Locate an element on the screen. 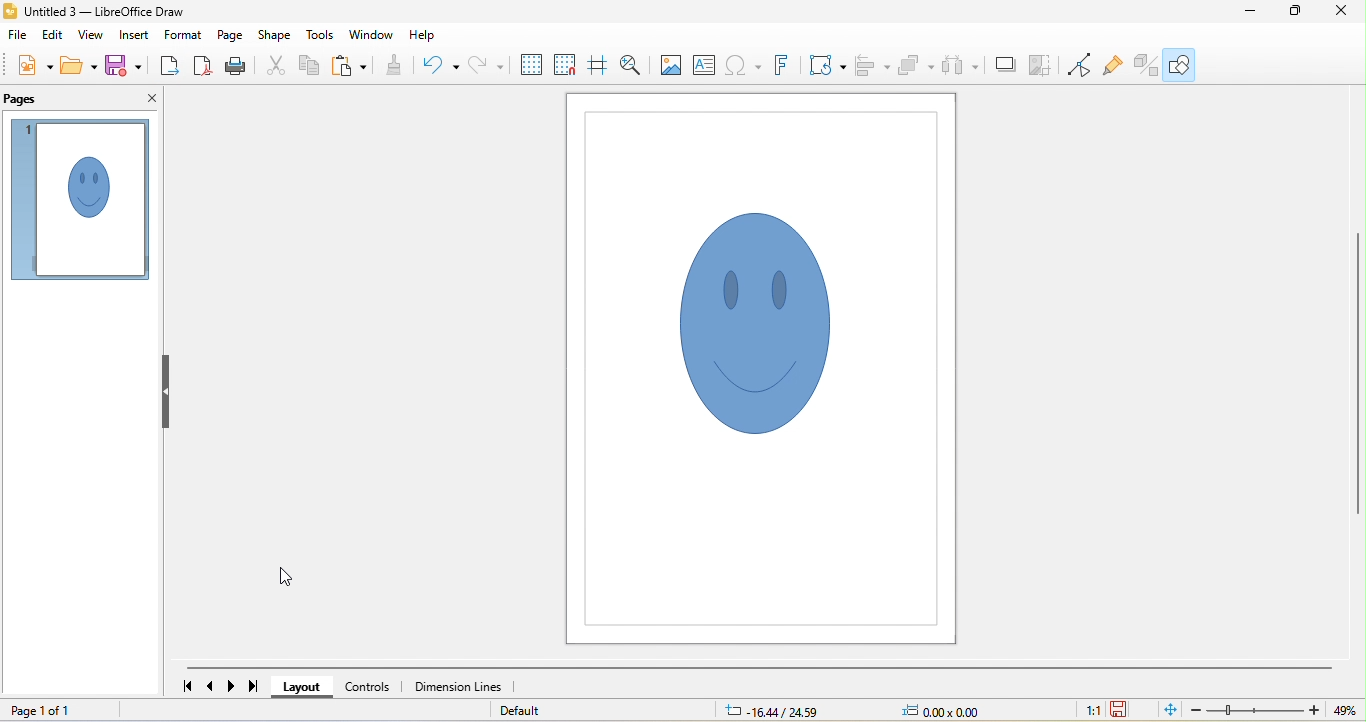 The image size is (1366, 722). save is located at coordinates (126, 64).